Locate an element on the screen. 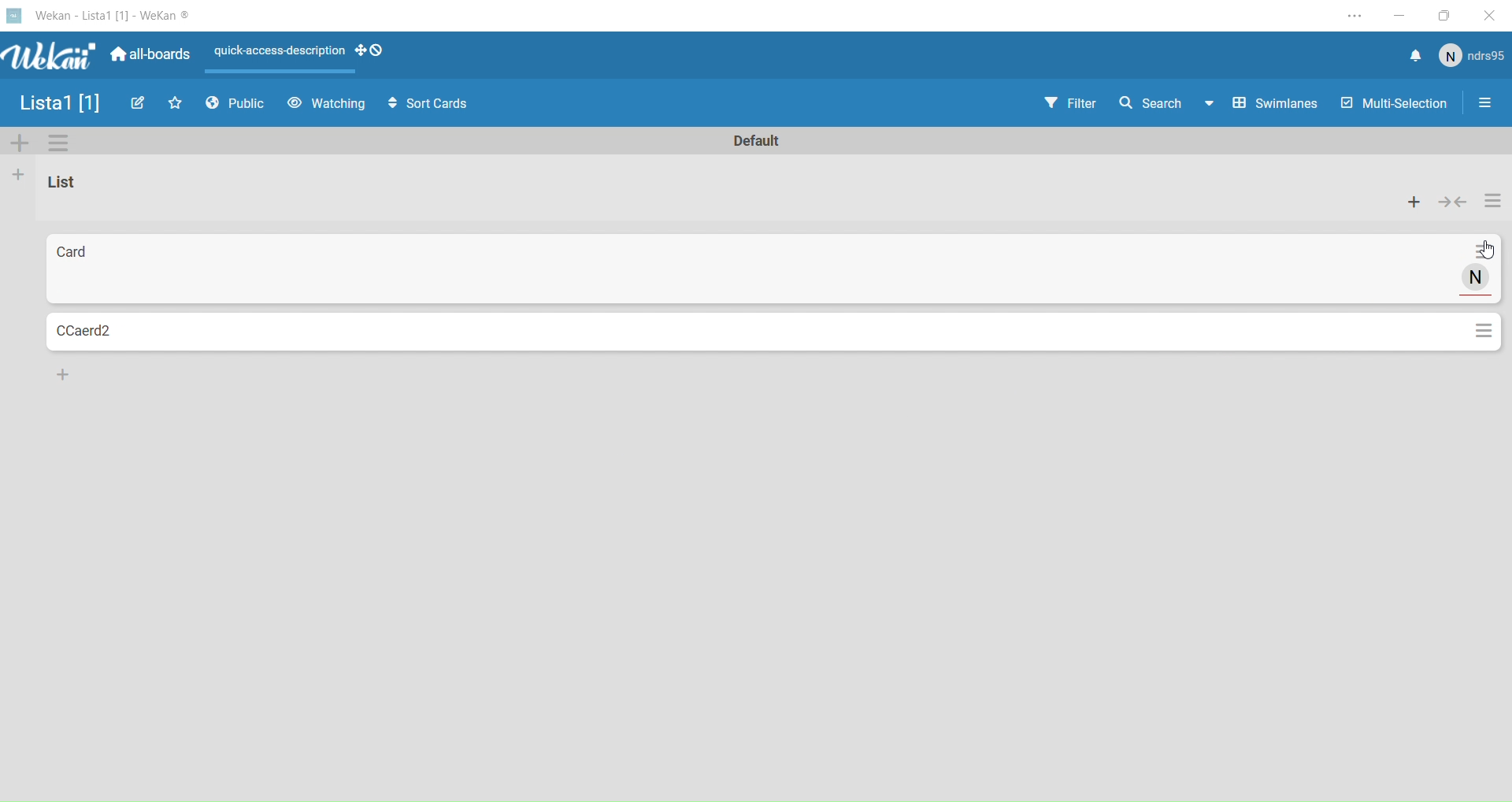  Sort Cards is located at coordinates (435, 102).